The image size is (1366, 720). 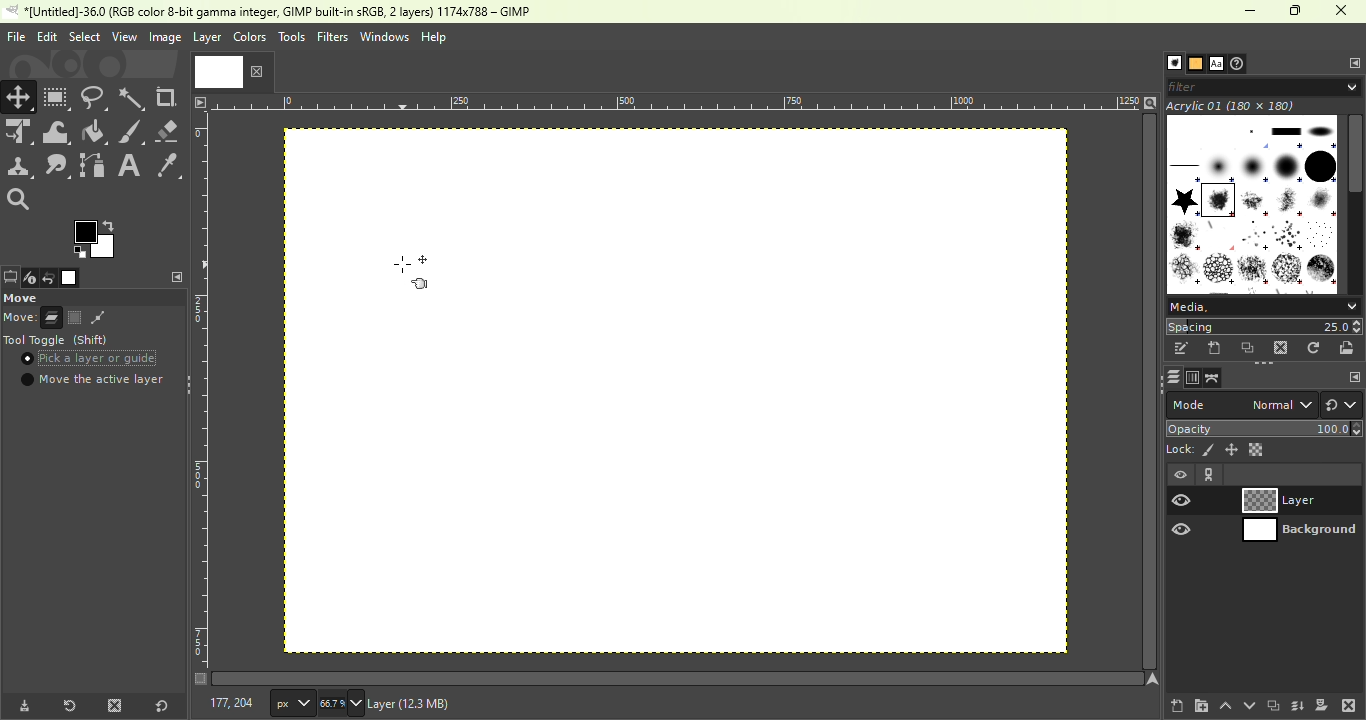 What do you see at coordinates (70, 278) in the screenshot?
I see `Image` at bounding box center [70, 278].